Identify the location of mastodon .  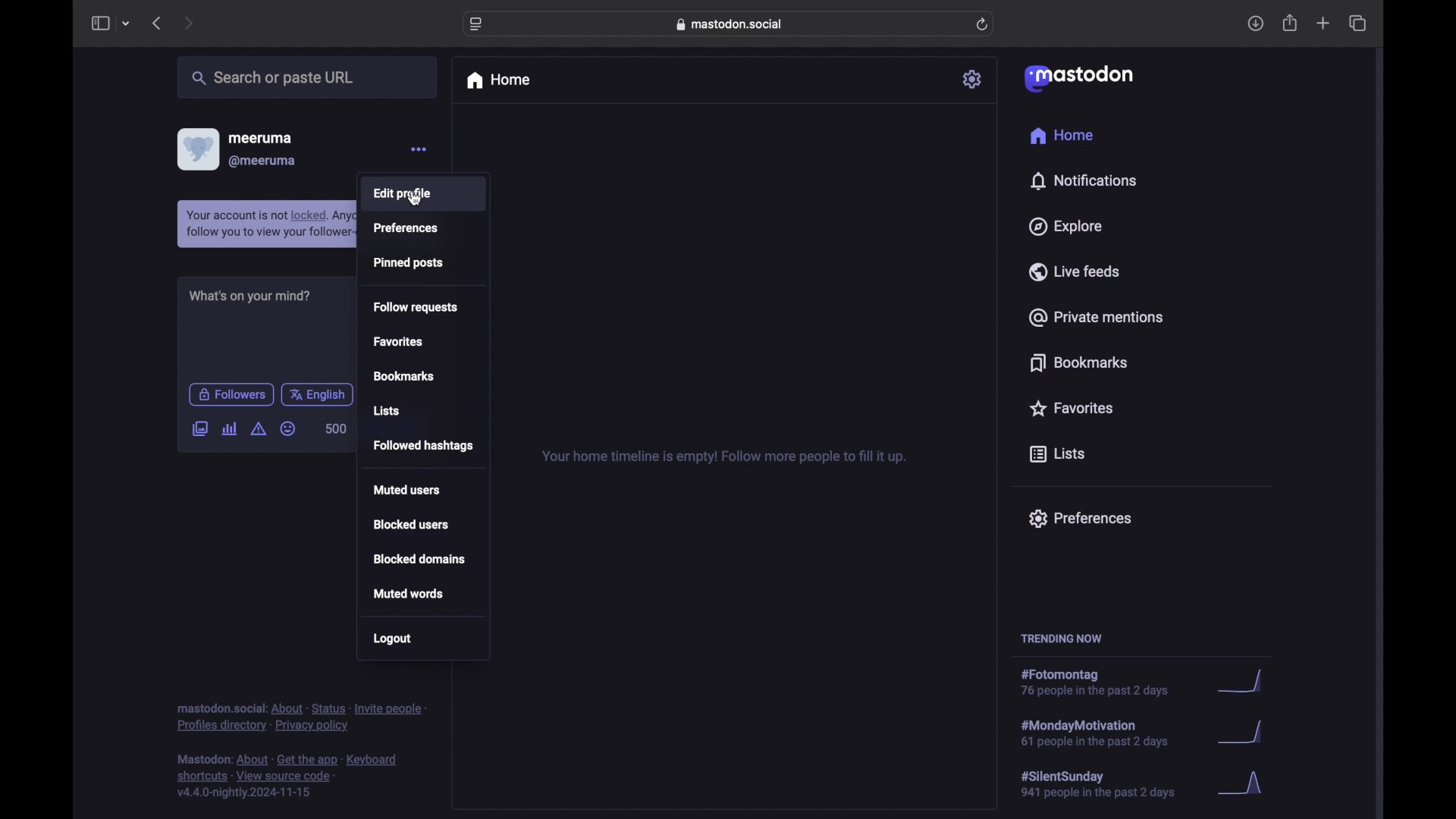
(1078, 79).